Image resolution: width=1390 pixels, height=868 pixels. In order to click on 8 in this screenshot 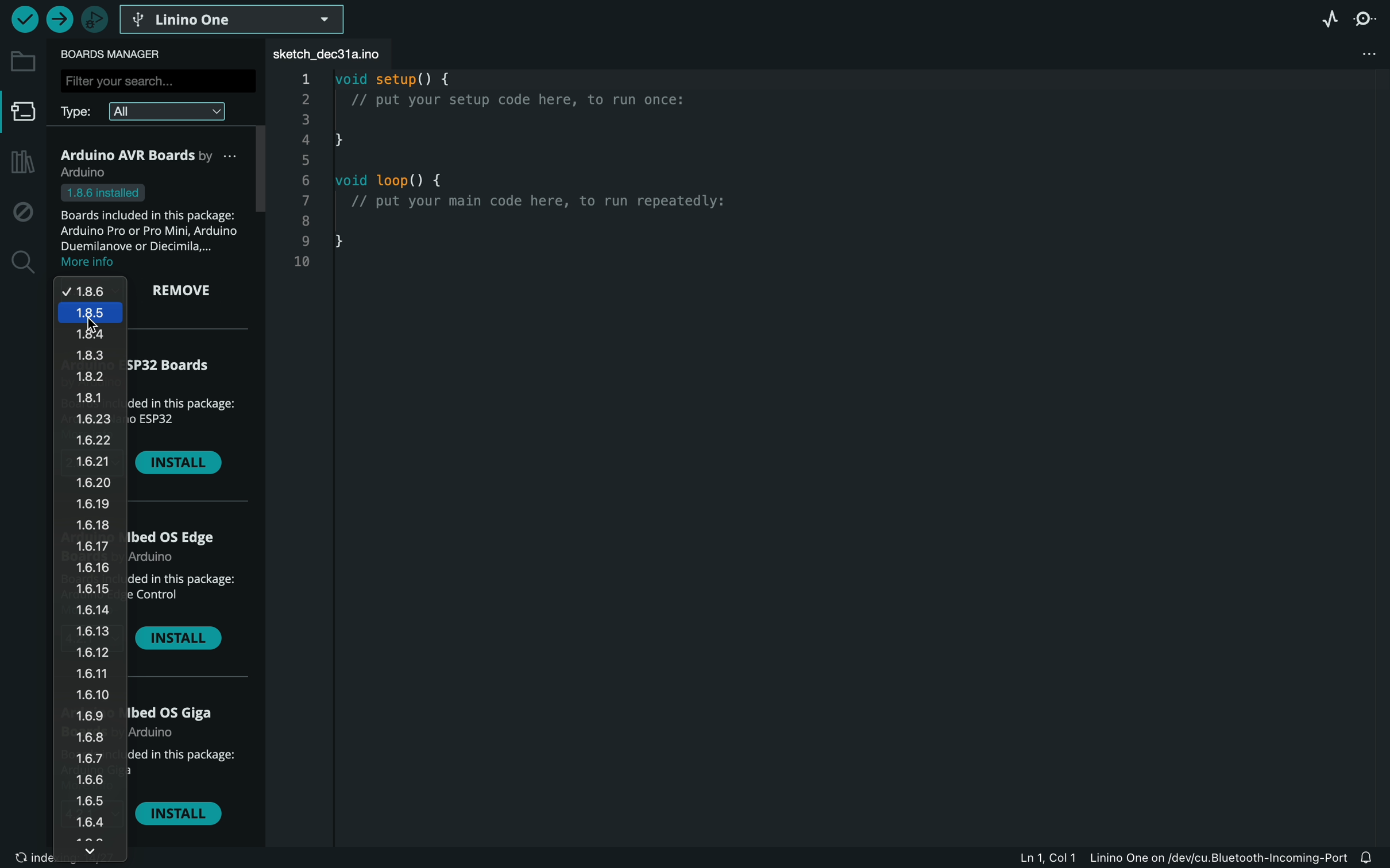, I will do `click(305, 223)`.